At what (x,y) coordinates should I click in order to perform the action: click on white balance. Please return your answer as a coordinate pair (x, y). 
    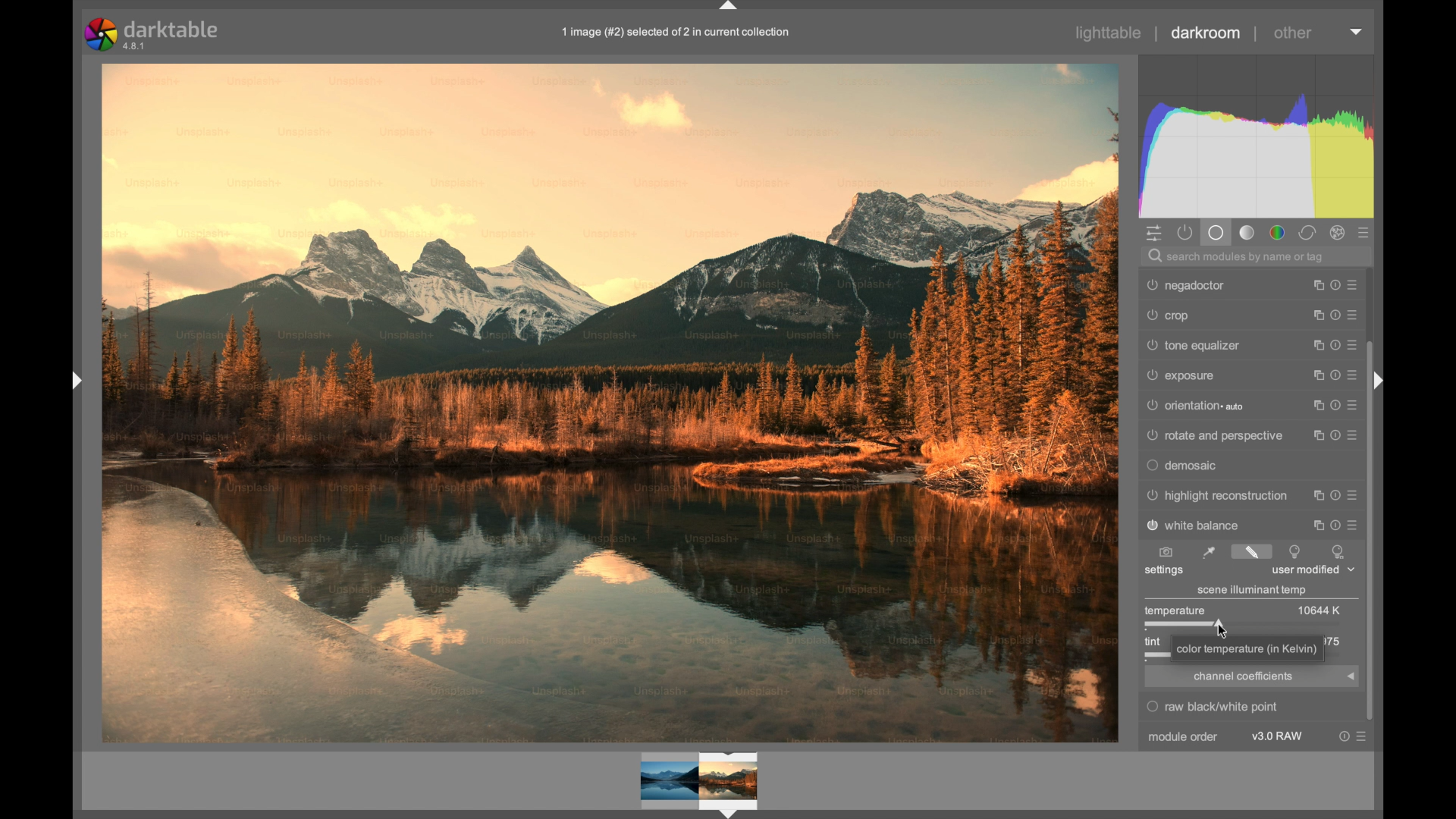
    Looking at the image, I should click on (1192, 525).